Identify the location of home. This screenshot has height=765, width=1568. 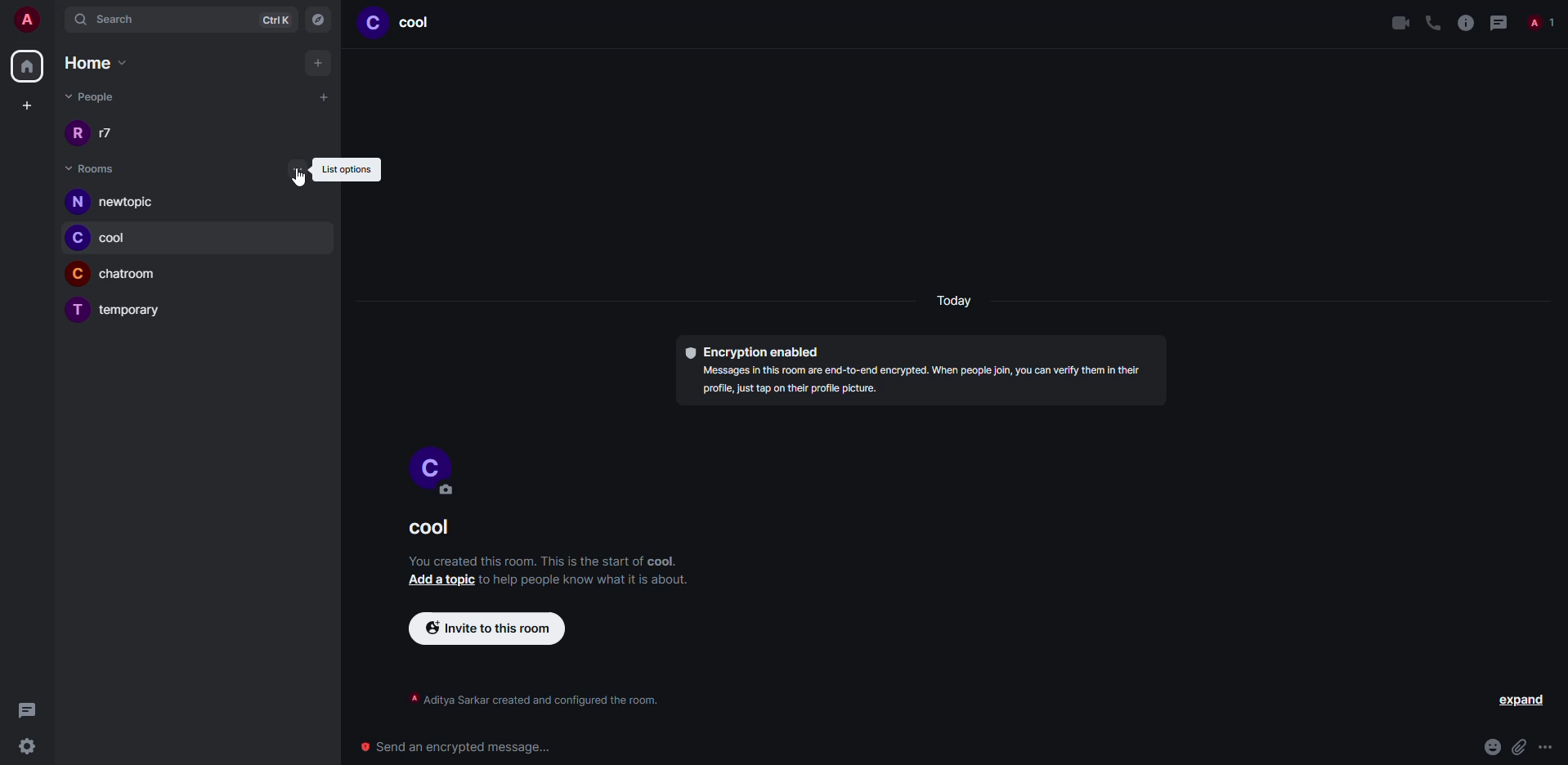
(96, 64).